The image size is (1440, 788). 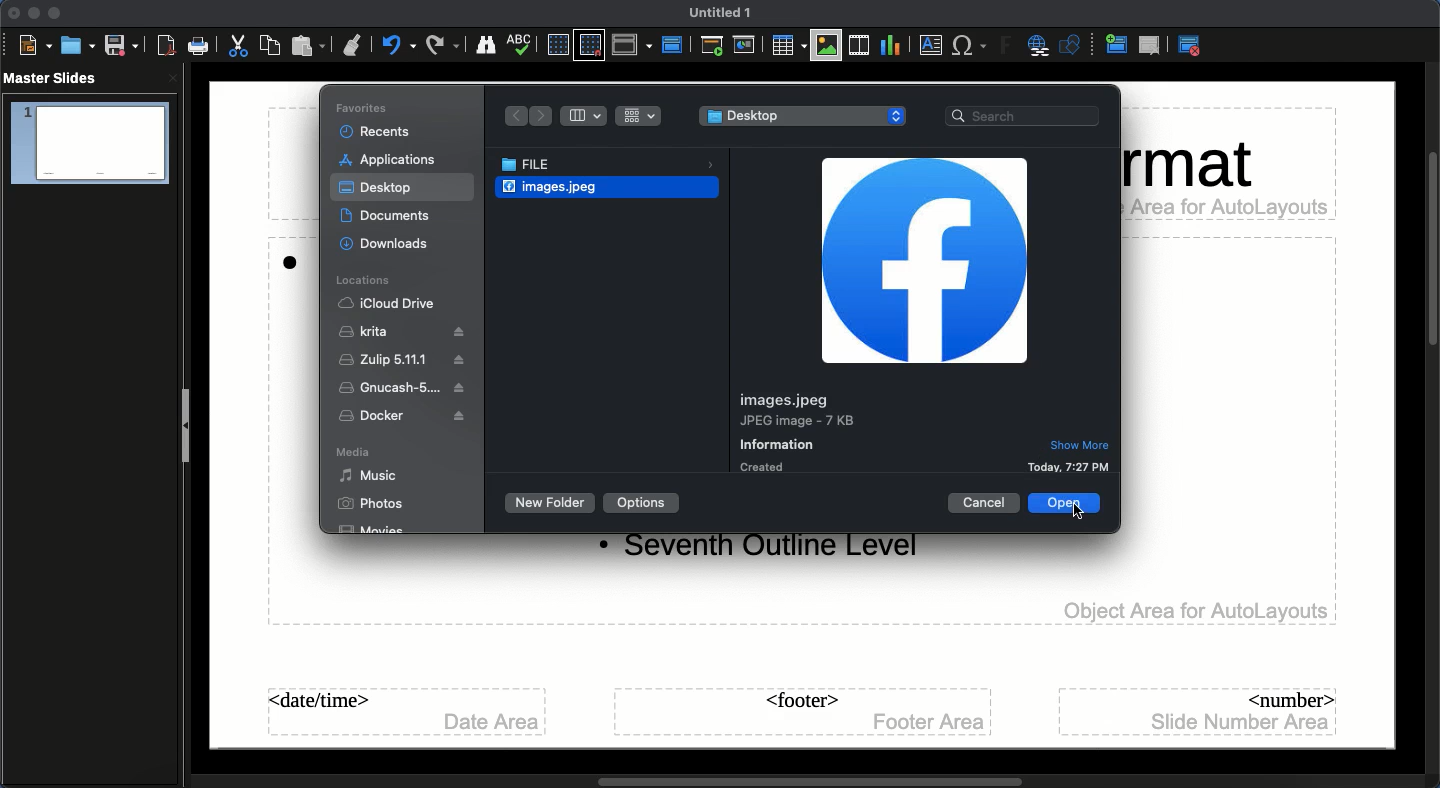 What do you see at coordinates (1201, 712) in the screenshot?
I see `Master slide number` at bounding box center [1201, 712].